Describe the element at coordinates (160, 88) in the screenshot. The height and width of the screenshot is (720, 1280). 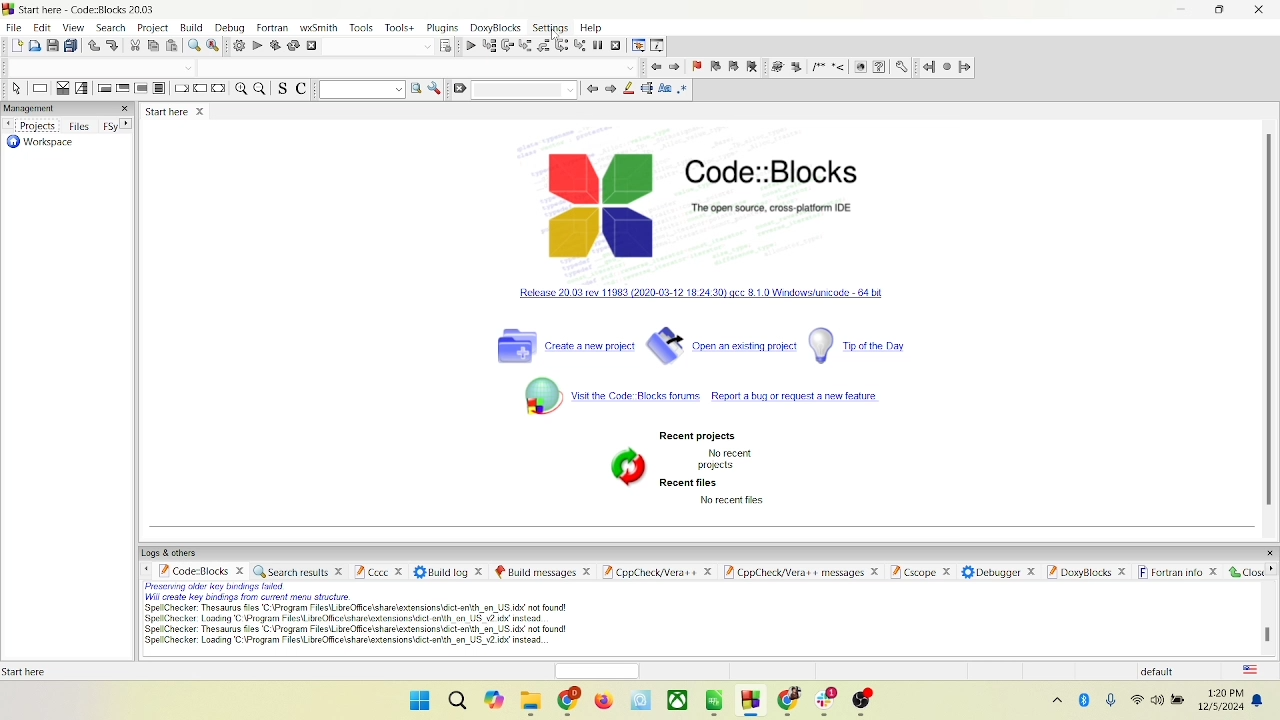
I see `block instruction` at that location.